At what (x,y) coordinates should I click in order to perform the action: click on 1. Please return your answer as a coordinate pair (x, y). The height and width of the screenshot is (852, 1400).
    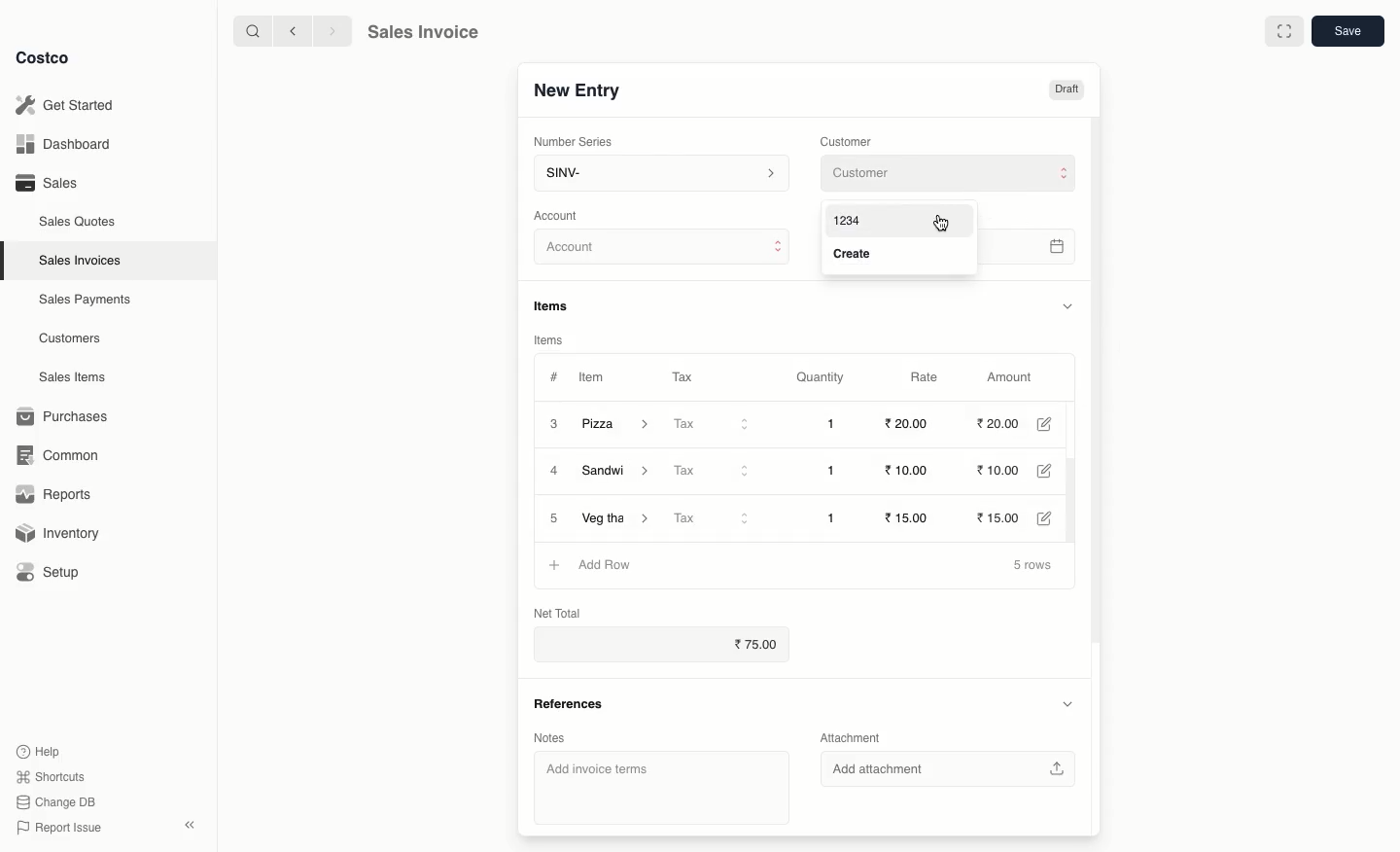
    Looking at the image, I should click on (836, 471).